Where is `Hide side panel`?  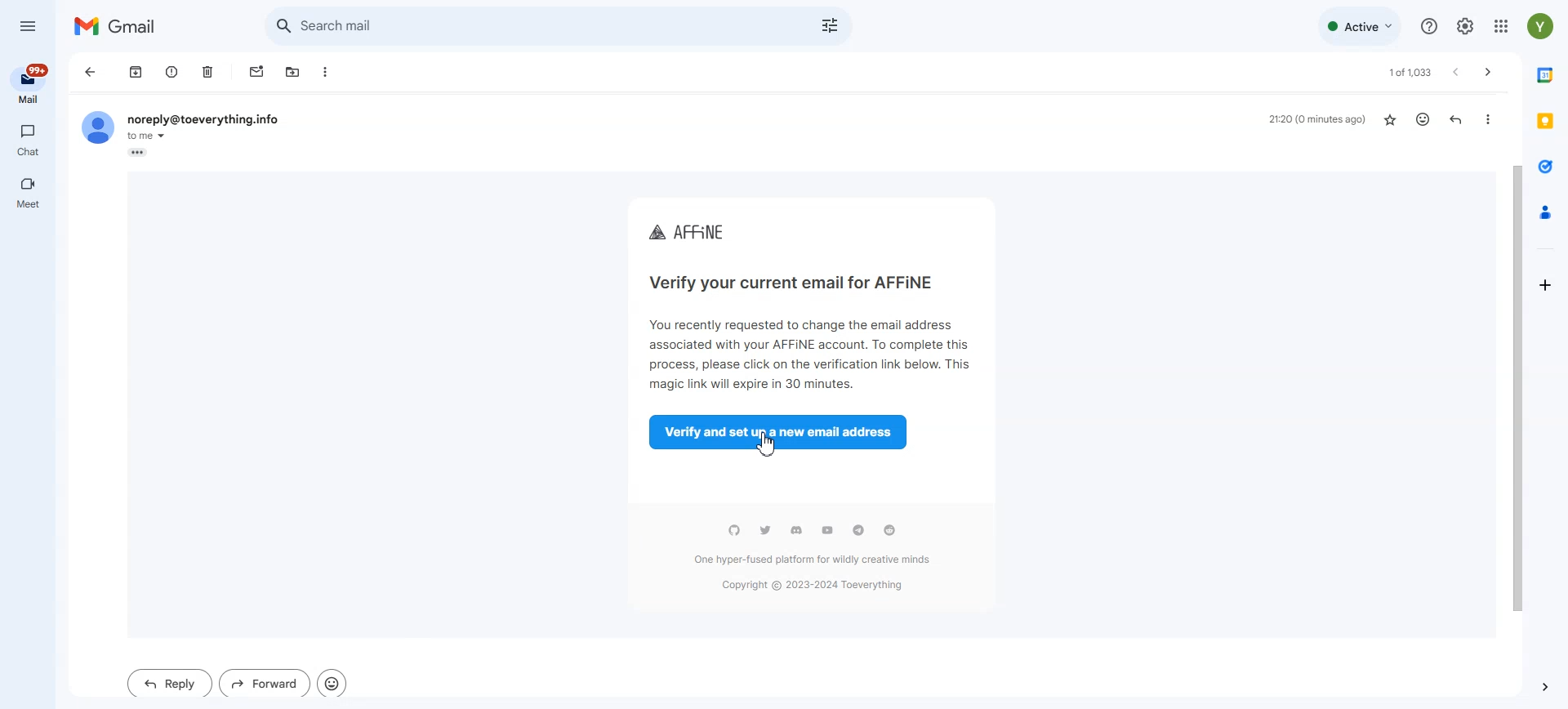
Hide side panel is located at coordinates (1543, 688).